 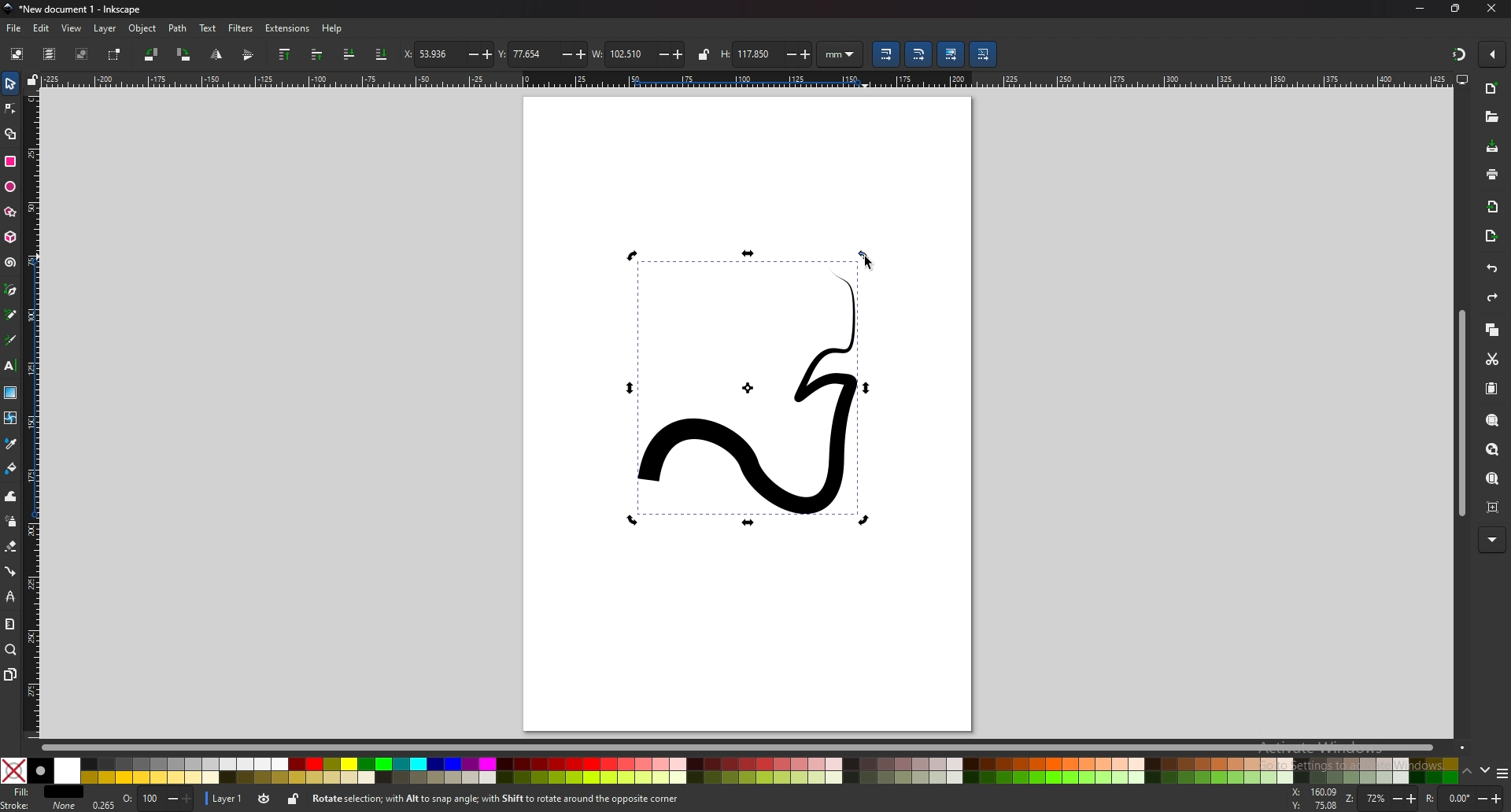 What do you see at coordinates (11, 467) in the screenshot?
I see `paint bucket` at bounding box center [11, 467].